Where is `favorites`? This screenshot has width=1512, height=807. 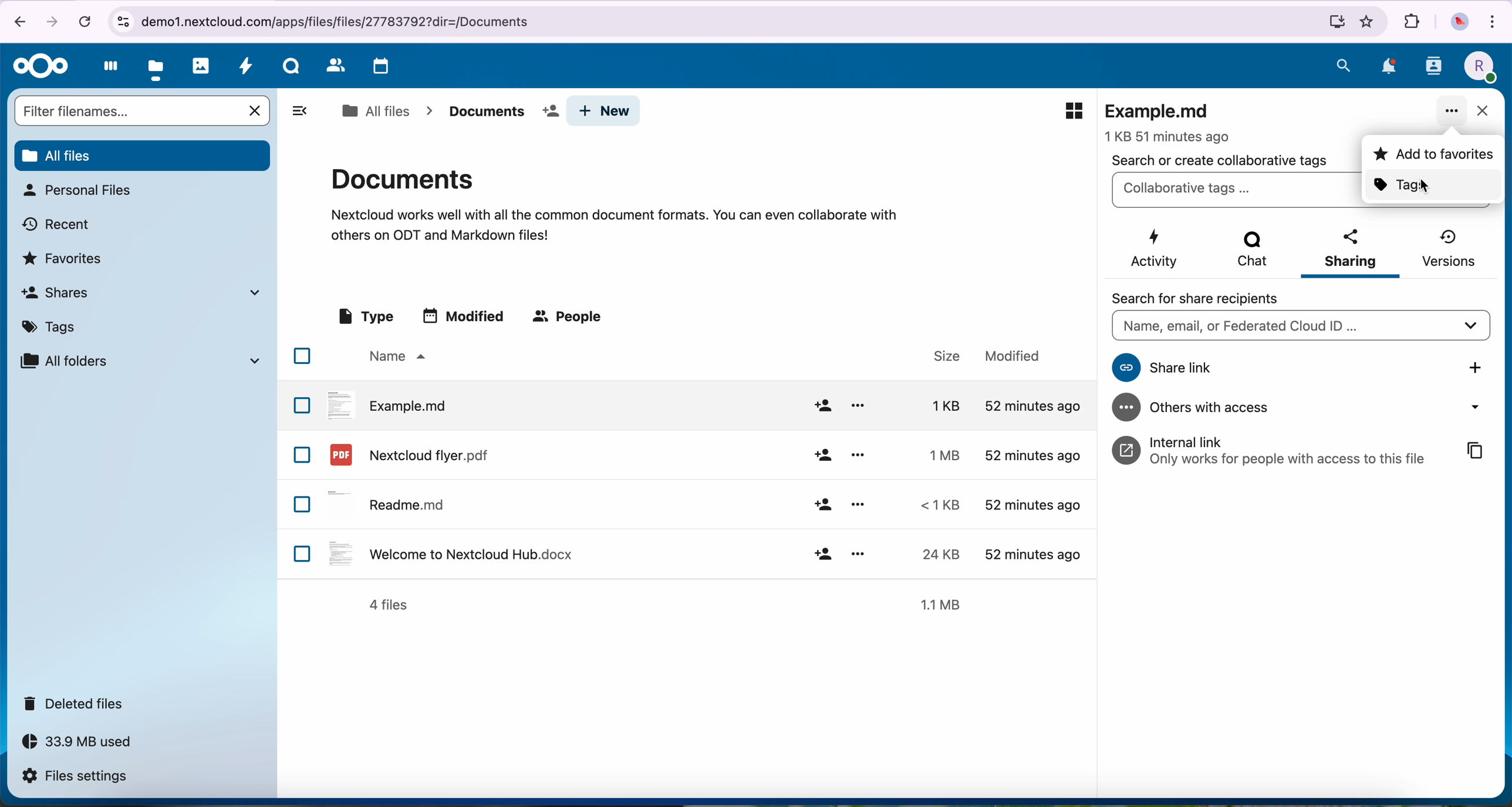 favorites is located at coordinates (65, 257).